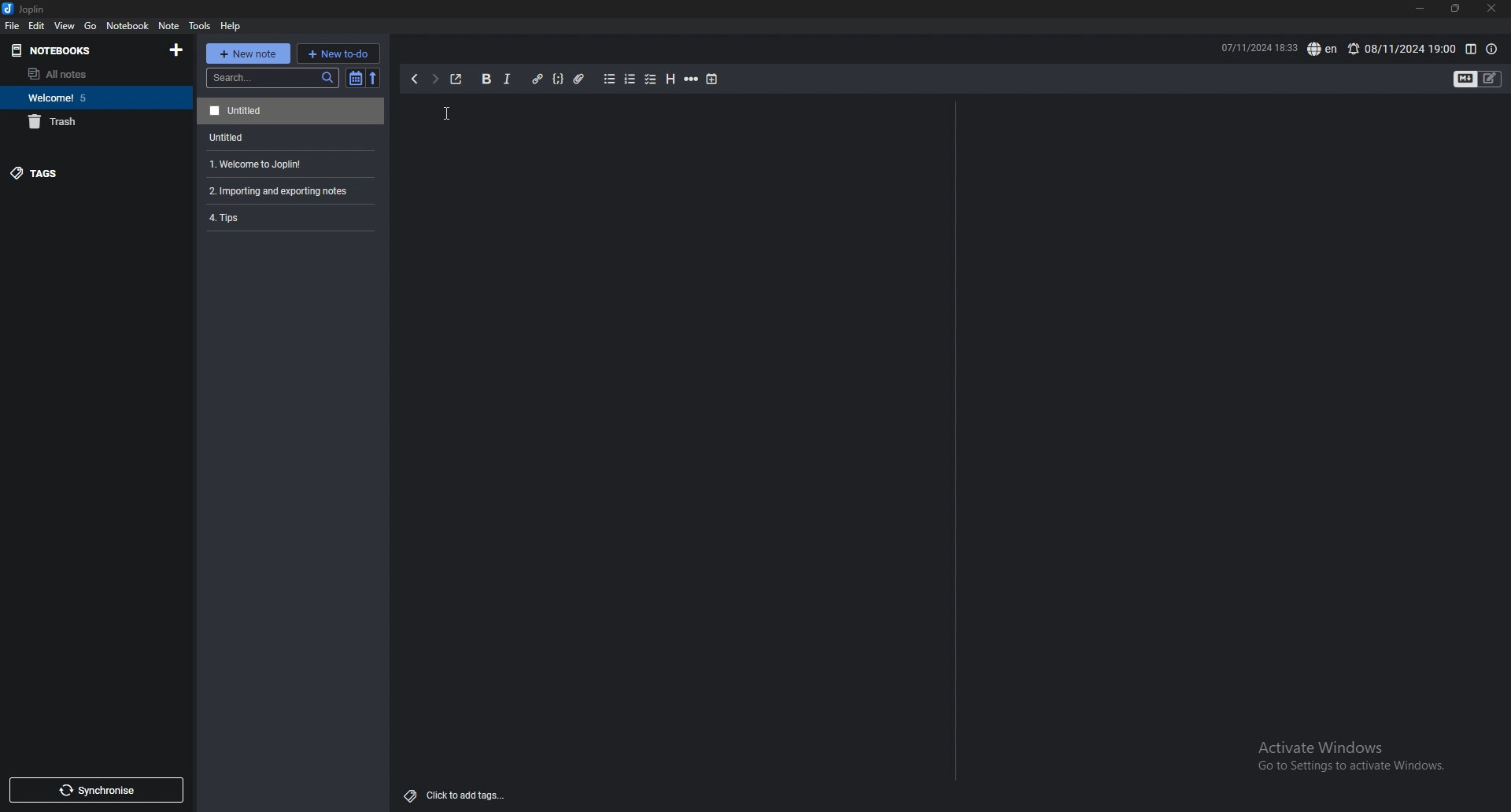  What do you see at coordinates (630, 79) in the screenshot?
I see `numbered list` at bounding box center [630, 79].